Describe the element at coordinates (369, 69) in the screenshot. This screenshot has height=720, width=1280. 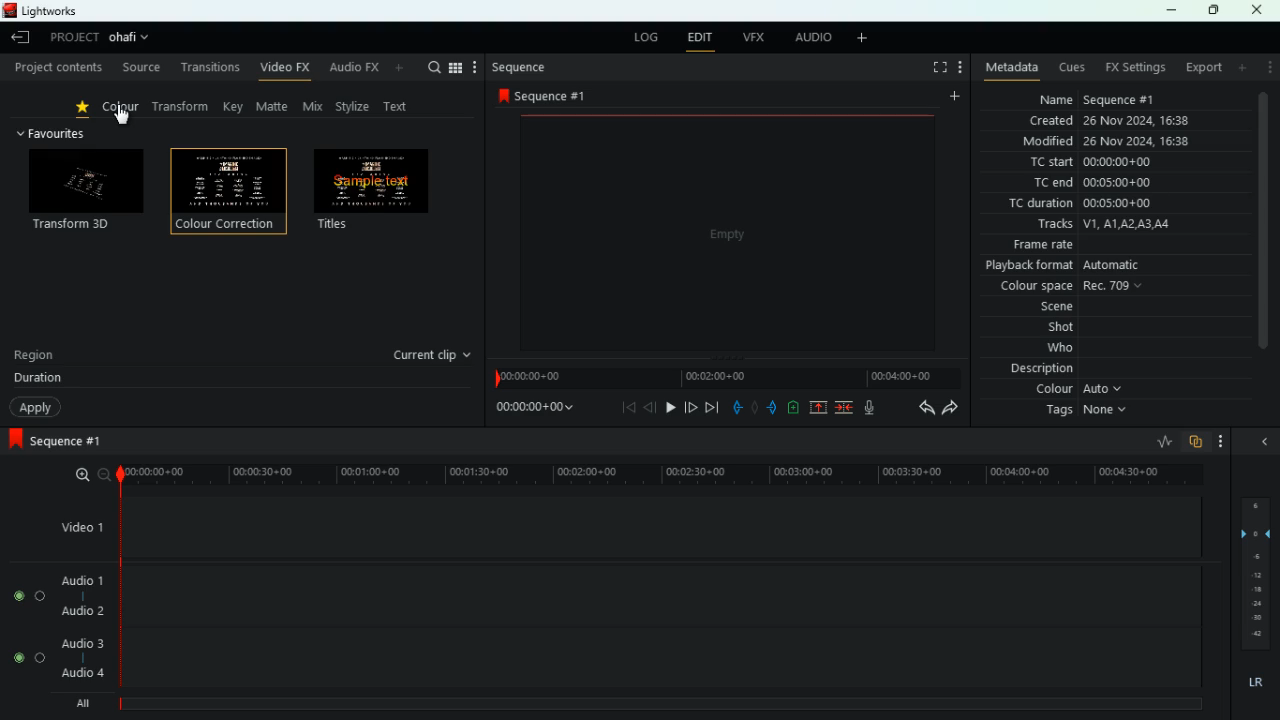
I see `audio fx` at that location.